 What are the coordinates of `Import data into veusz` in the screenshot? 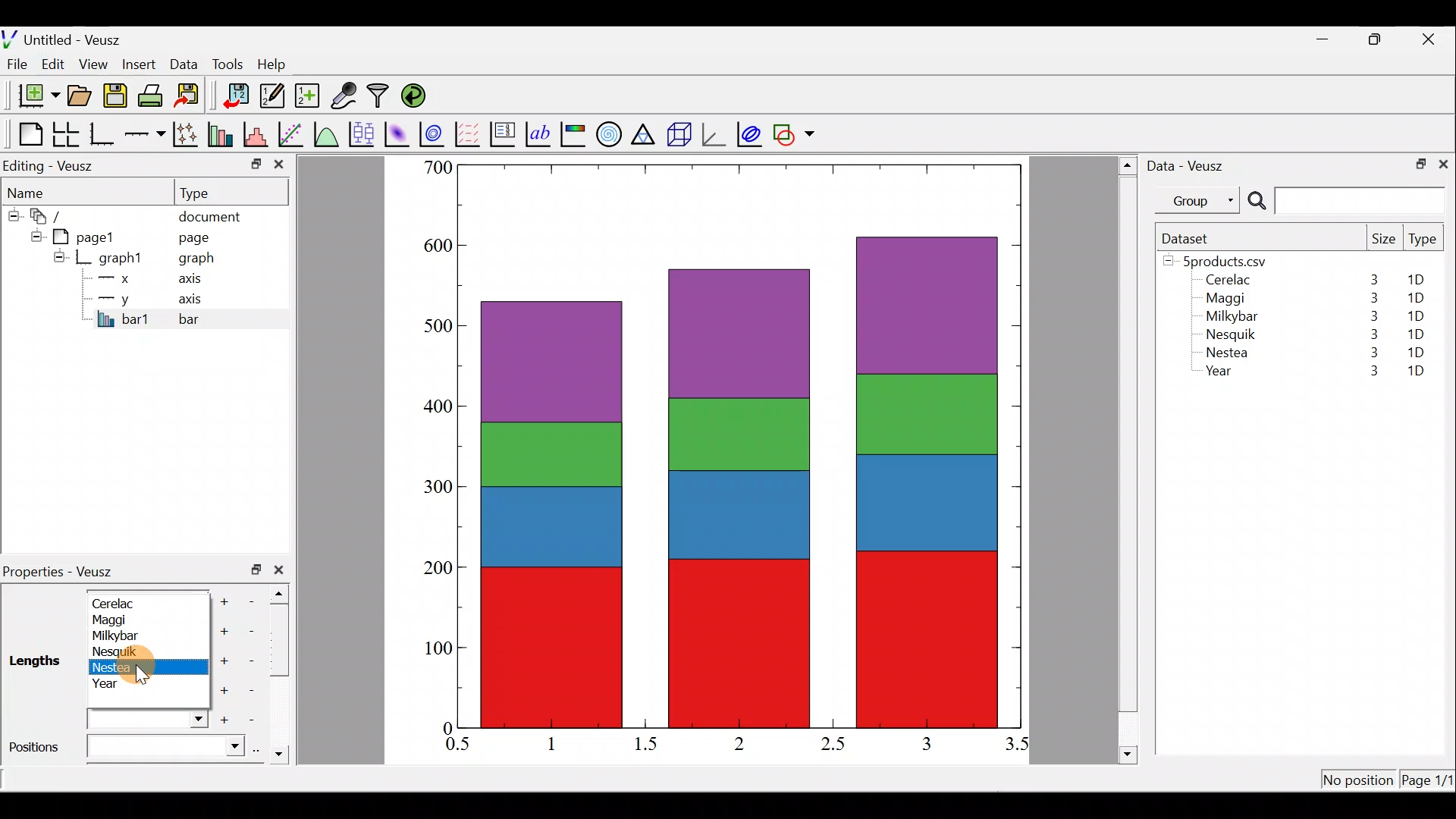 It's located at (237, 96).